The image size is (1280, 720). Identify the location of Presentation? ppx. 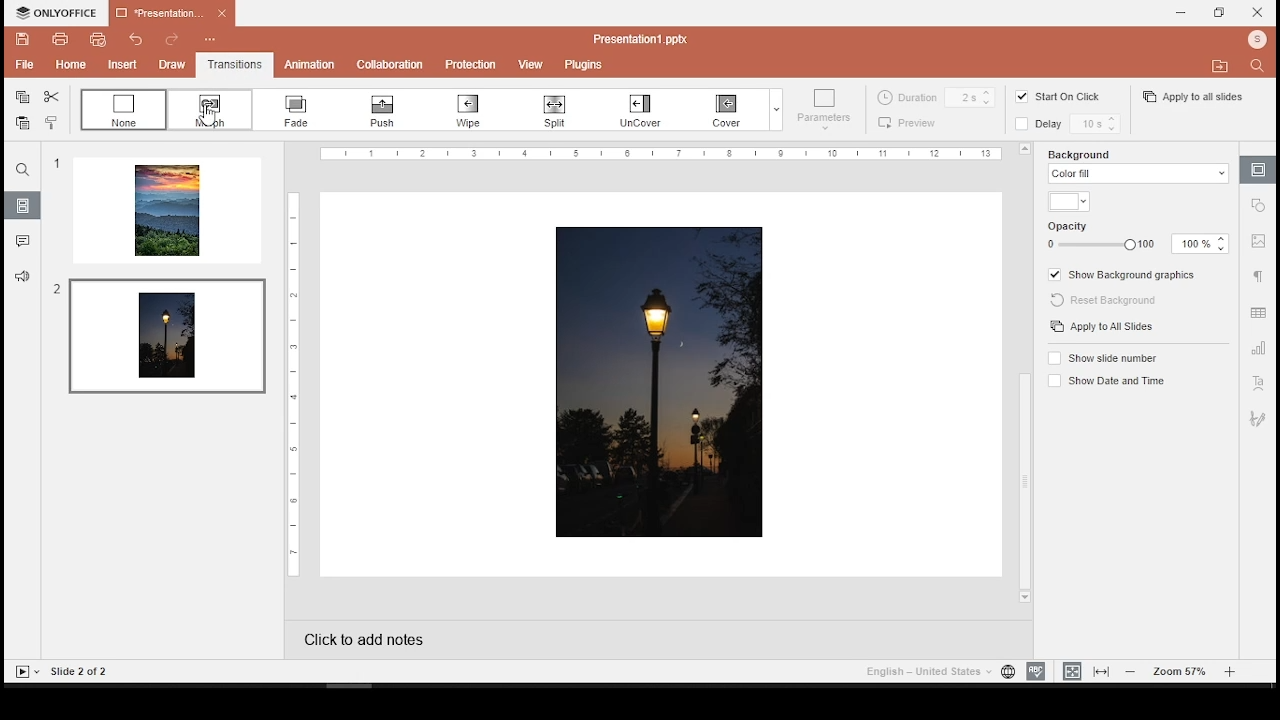
(651, 37).